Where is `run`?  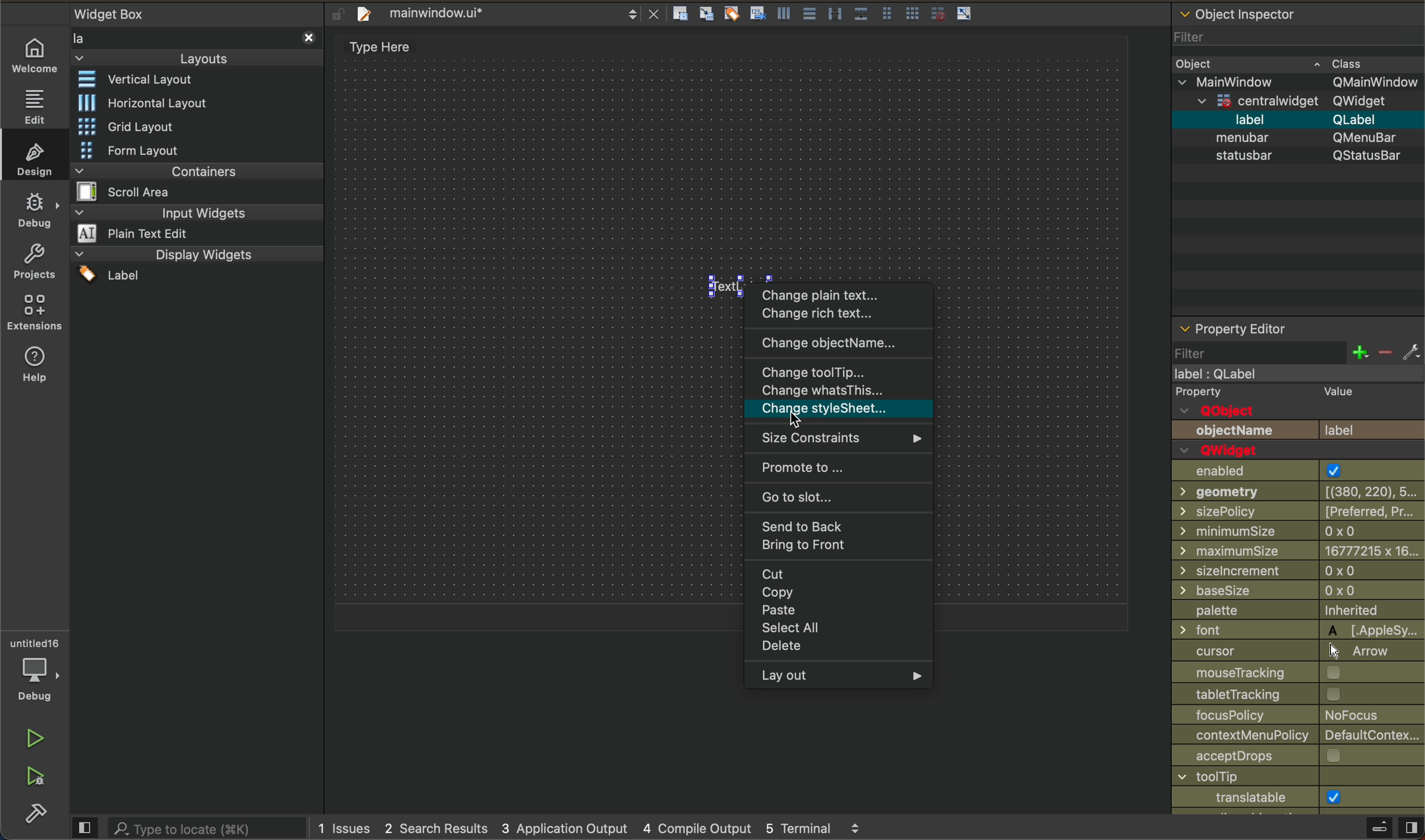
run is located at coordinates (36, 737).